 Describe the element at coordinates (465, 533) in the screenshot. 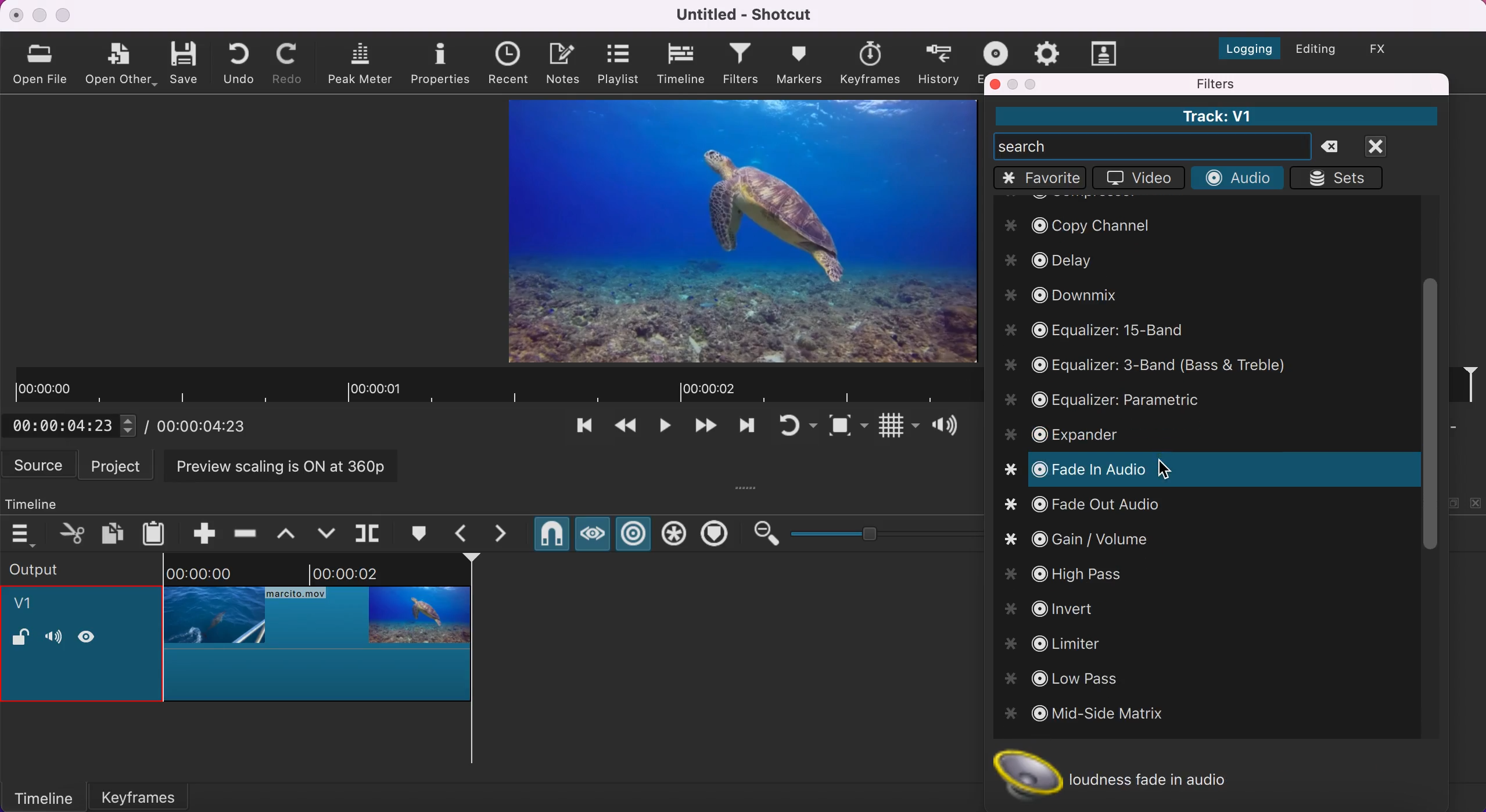

I see `previous marker` at that location.